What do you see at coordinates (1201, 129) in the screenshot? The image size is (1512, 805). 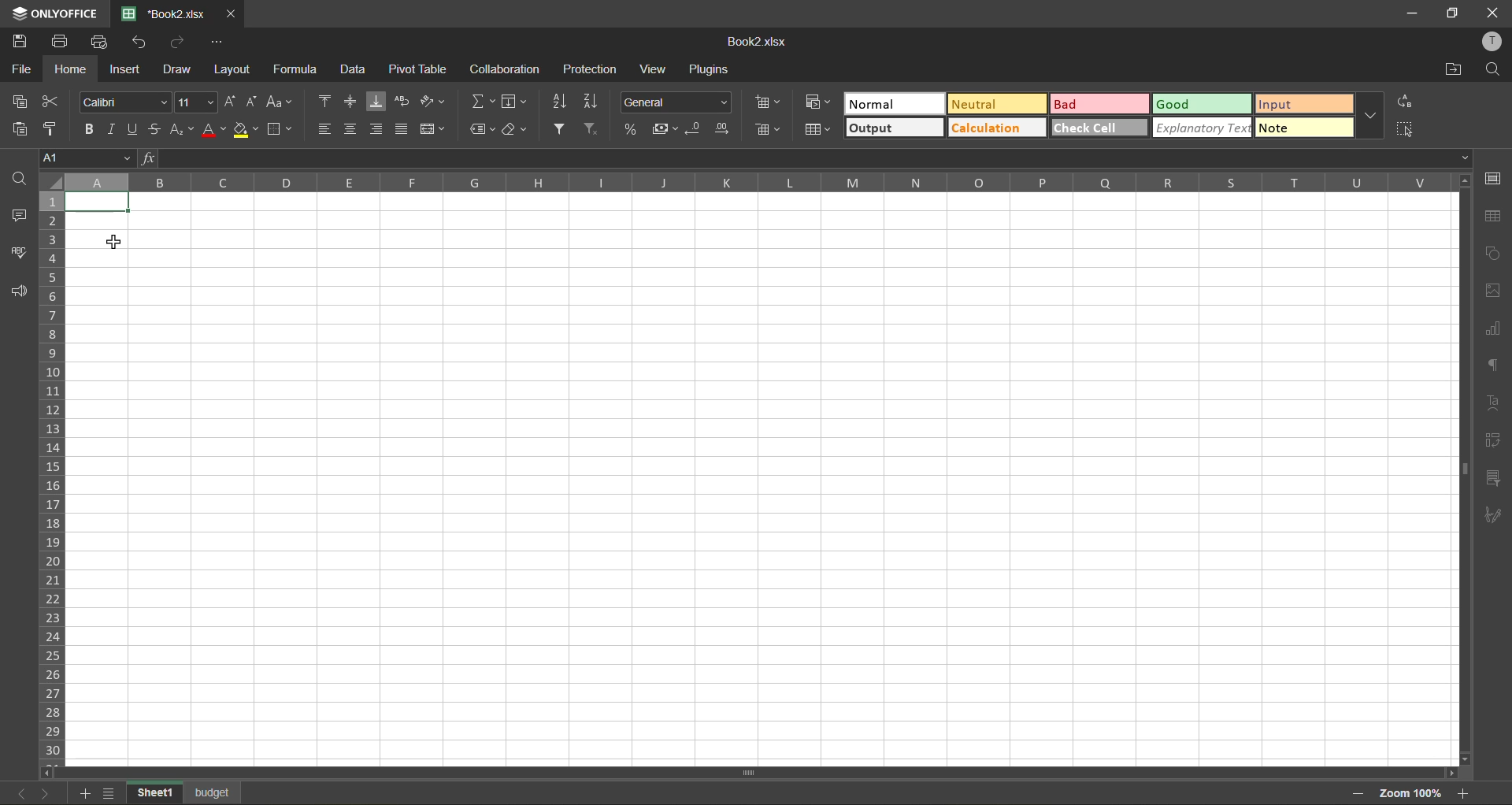 I see `explanatory text` at bounding box center [1201, 129].